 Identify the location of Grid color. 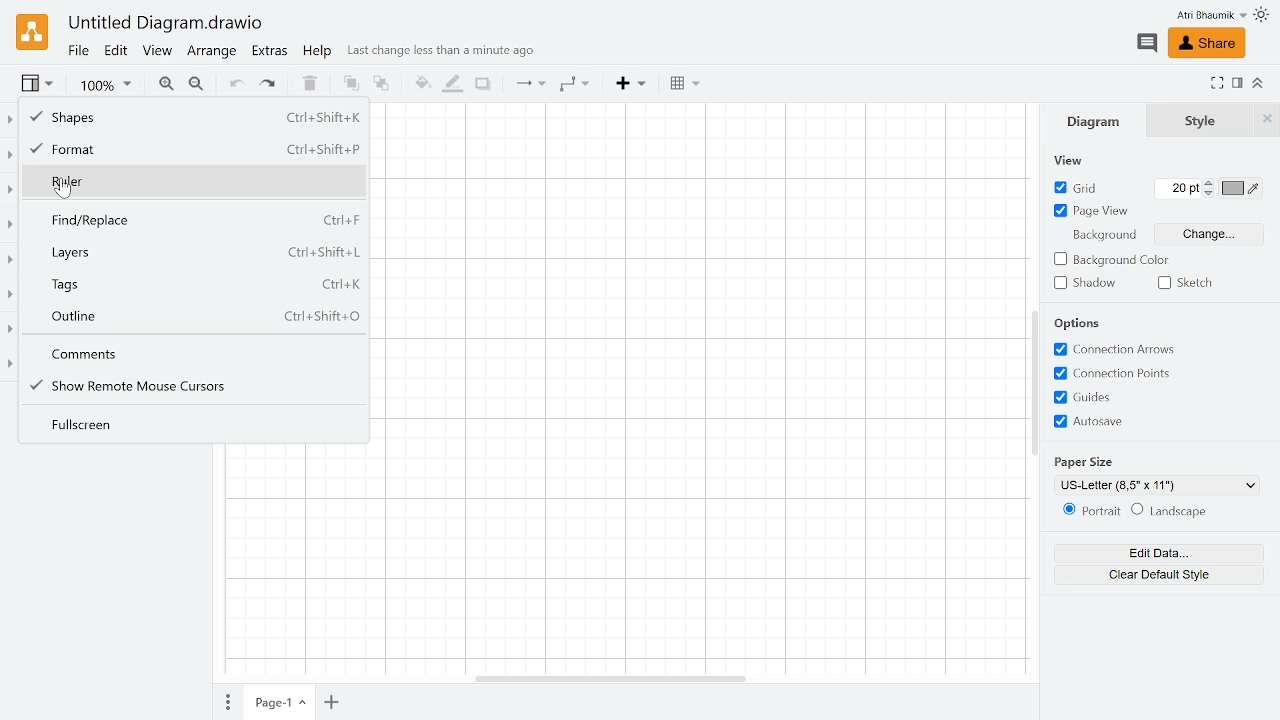
(1241, 189).